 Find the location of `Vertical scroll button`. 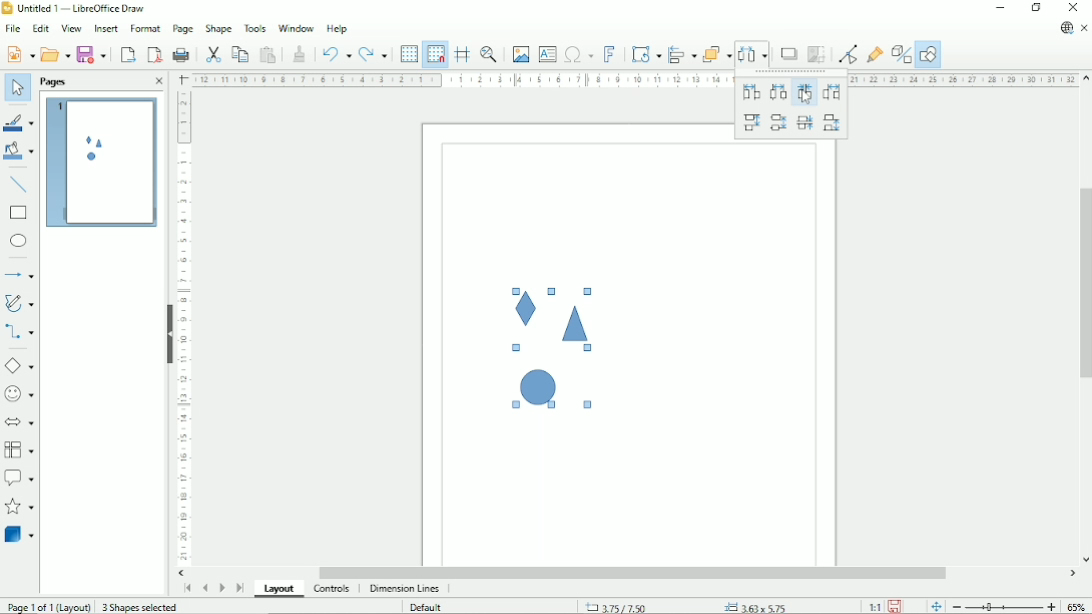

Vertical scroll button is located at coordinates (1086, 79).